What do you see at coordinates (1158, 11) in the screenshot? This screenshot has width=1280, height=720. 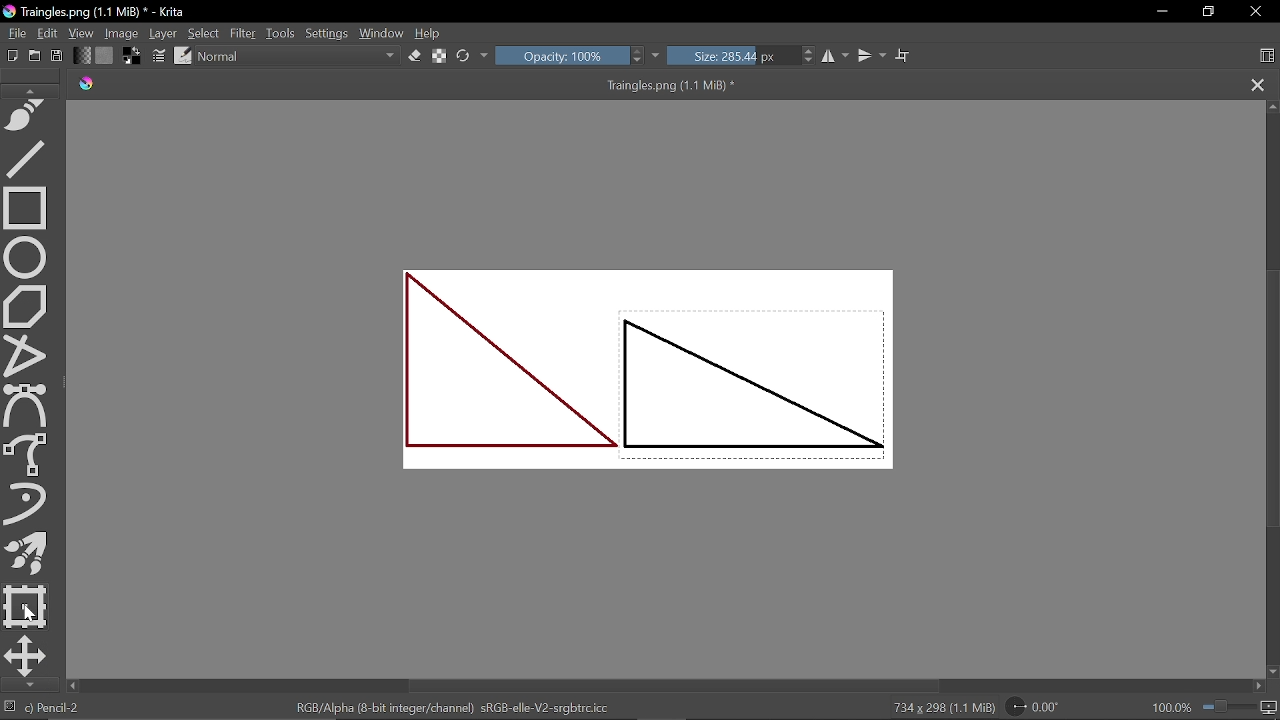 I see `Minimize` at bounding box center [1158, 11].